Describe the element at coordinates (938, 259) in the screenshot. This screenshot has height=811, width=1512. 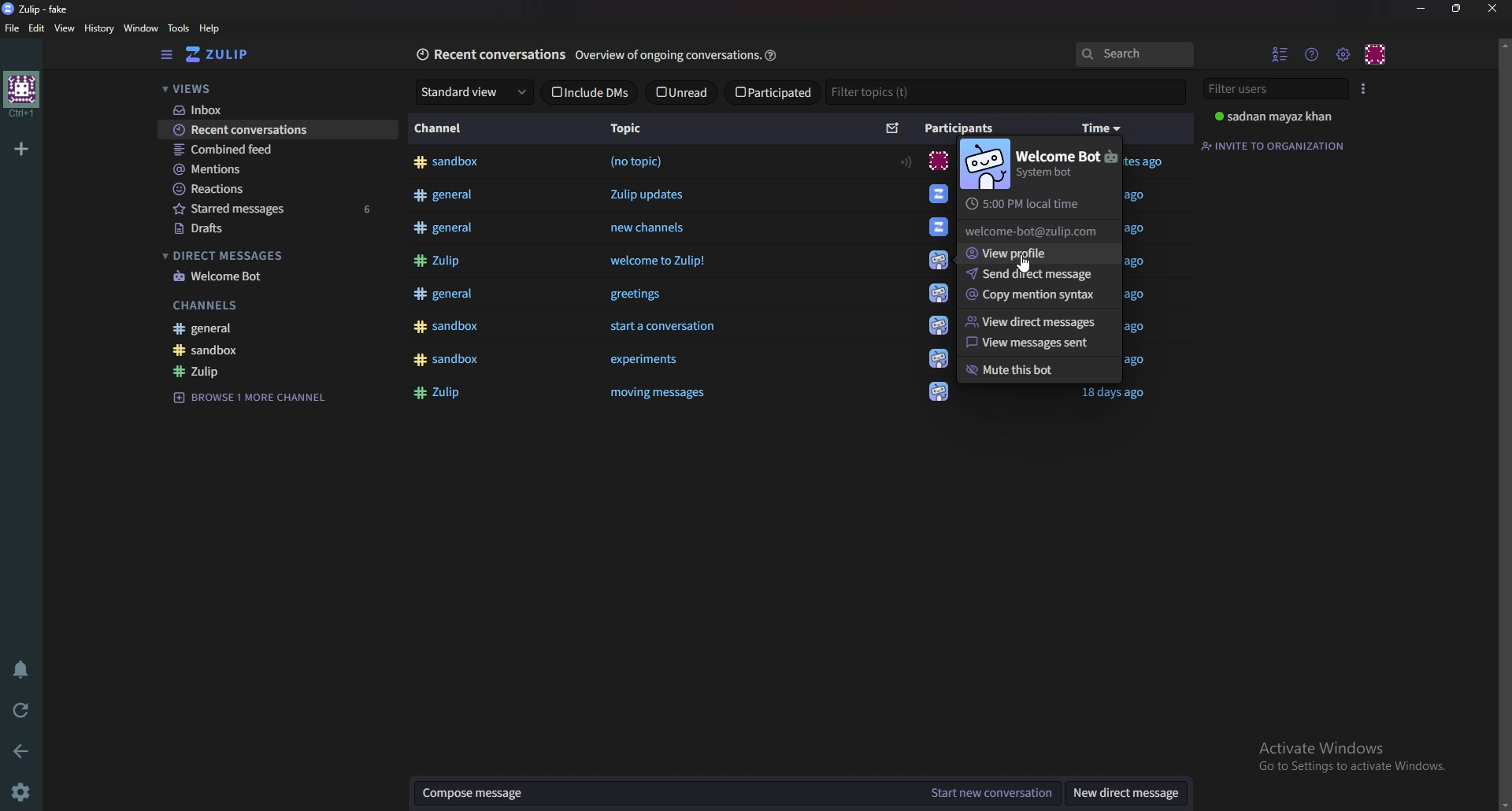
I see `icon` at that location.